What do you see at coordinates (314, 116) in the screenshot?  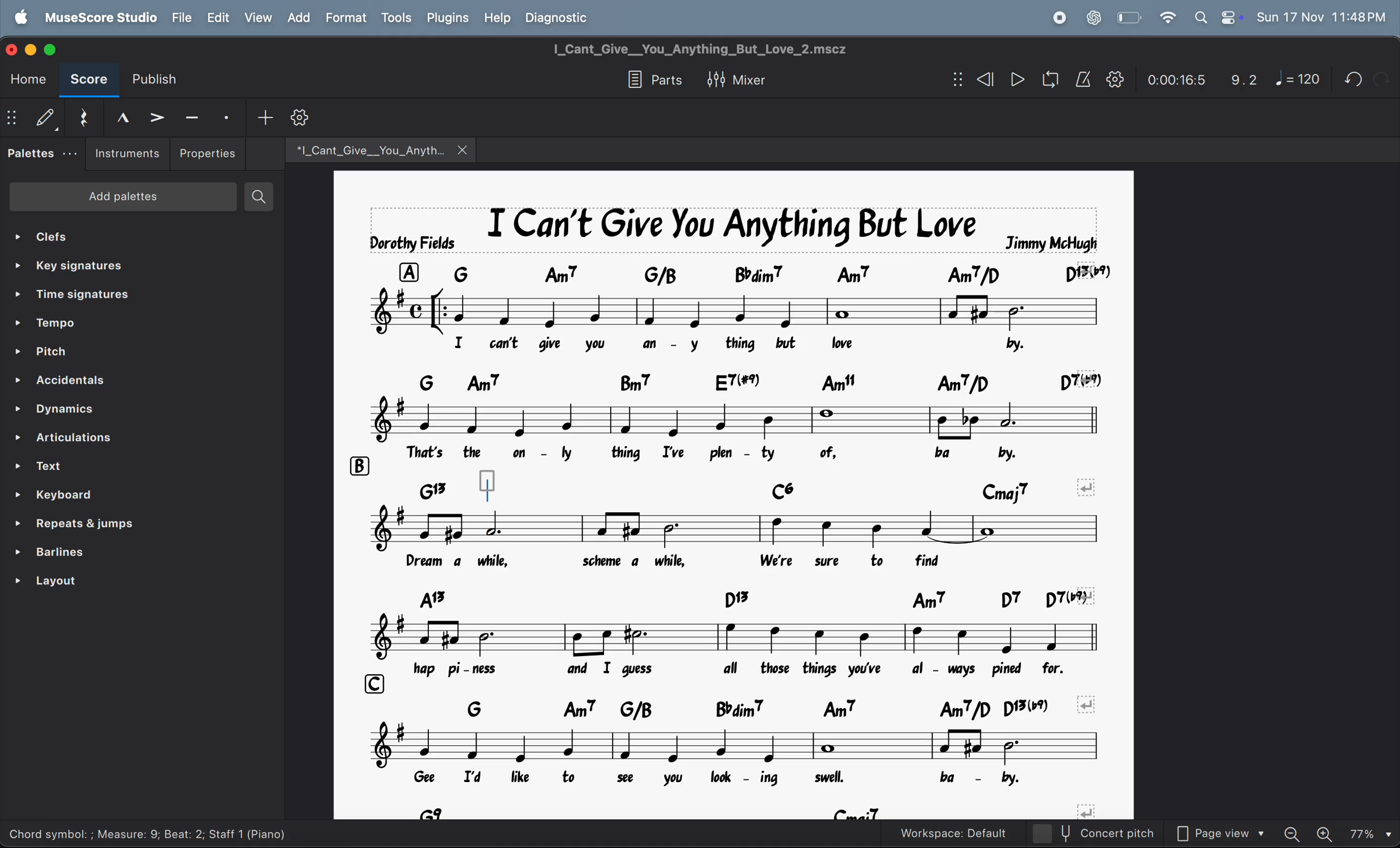 I see `customize tool bar` at bounding box center [314, 116].